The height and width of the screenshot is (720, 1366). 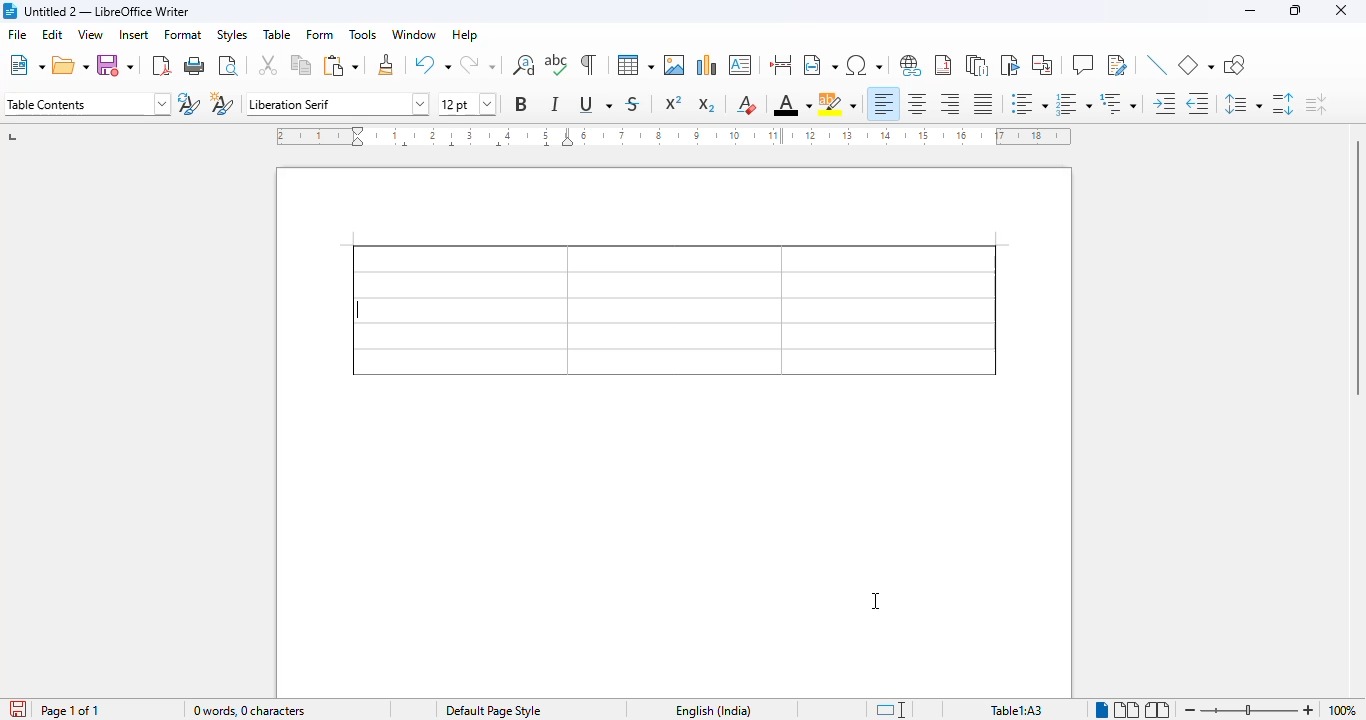 I want to click on insert cross-reference, so click(x=1042, y=64).